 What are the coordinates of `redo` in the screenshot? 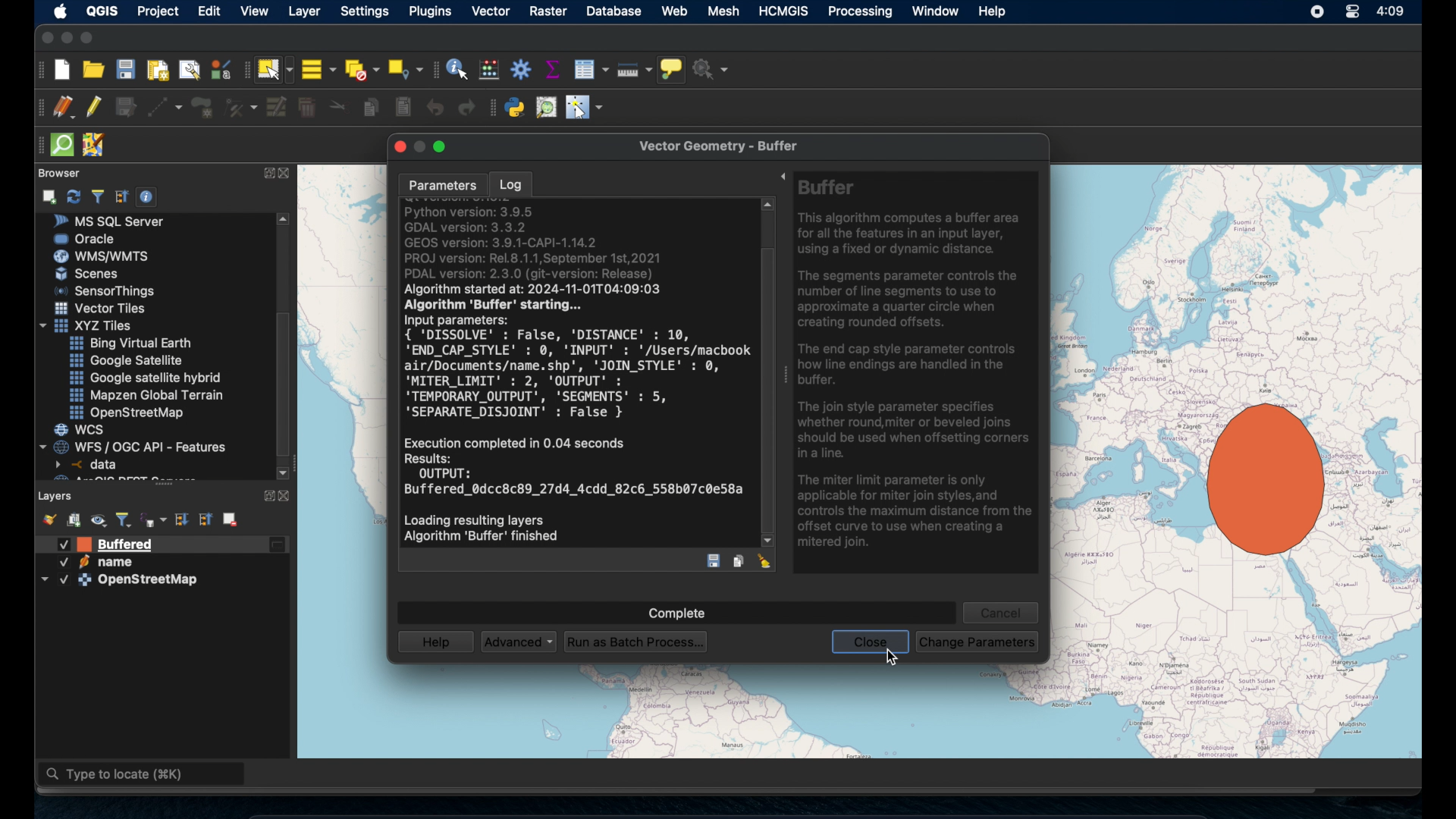 It's located at (463, 109).